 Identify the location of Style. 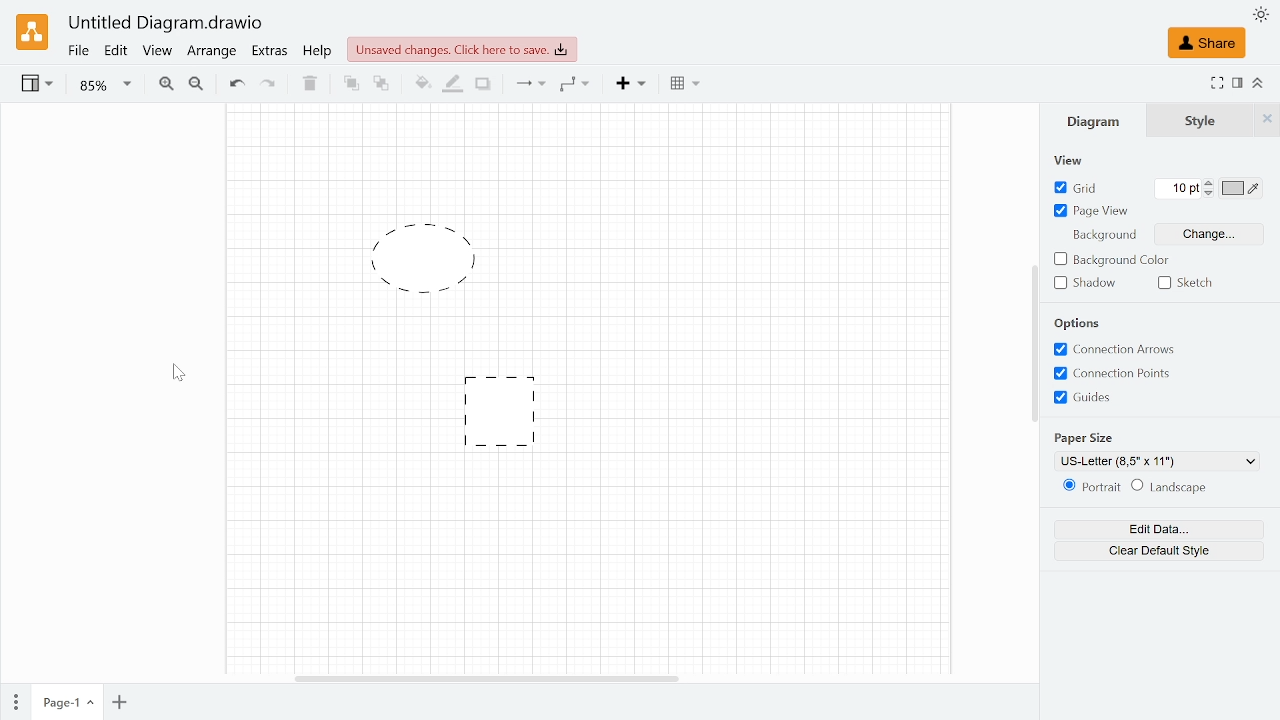
(1267, 120).